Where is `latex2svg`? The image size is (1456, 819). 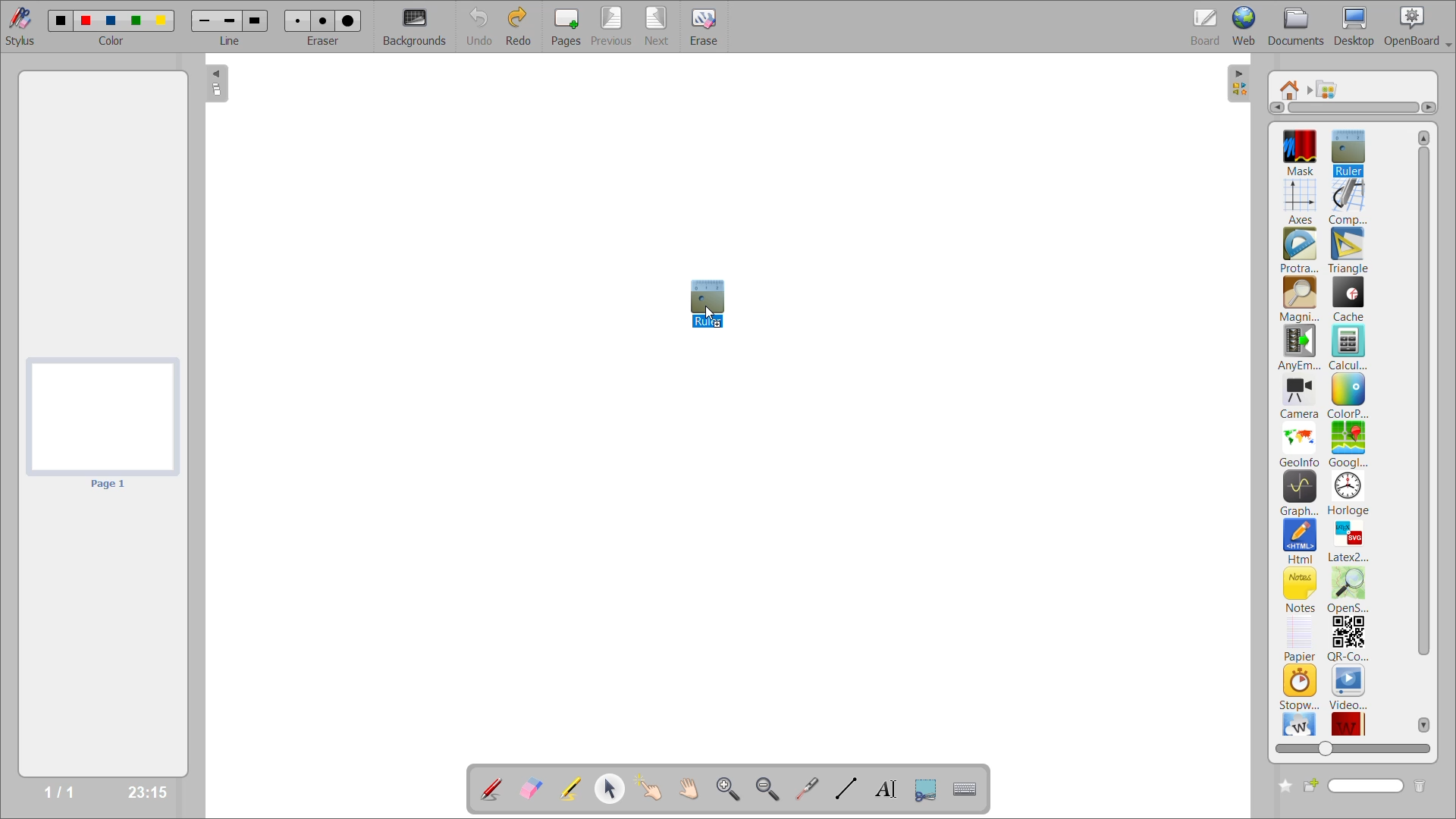
latex2svg is located at coordinates (1348, 541).